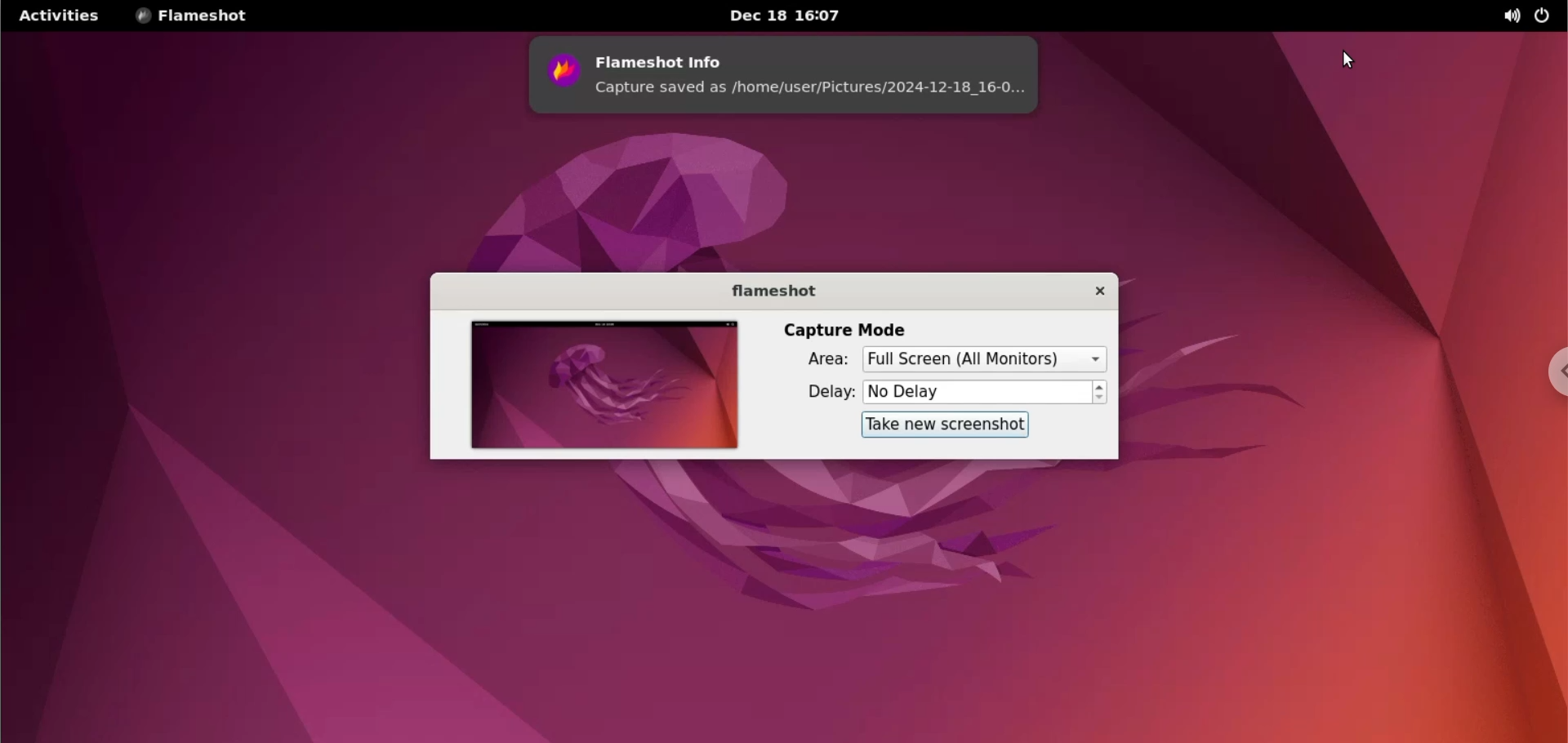 Image resolution: width=1568 pixels, height=743 pixels. What do you see at coordinates (778, 291) in the screenshot?
I see `flameshot label` at bounding box center [778, 291].